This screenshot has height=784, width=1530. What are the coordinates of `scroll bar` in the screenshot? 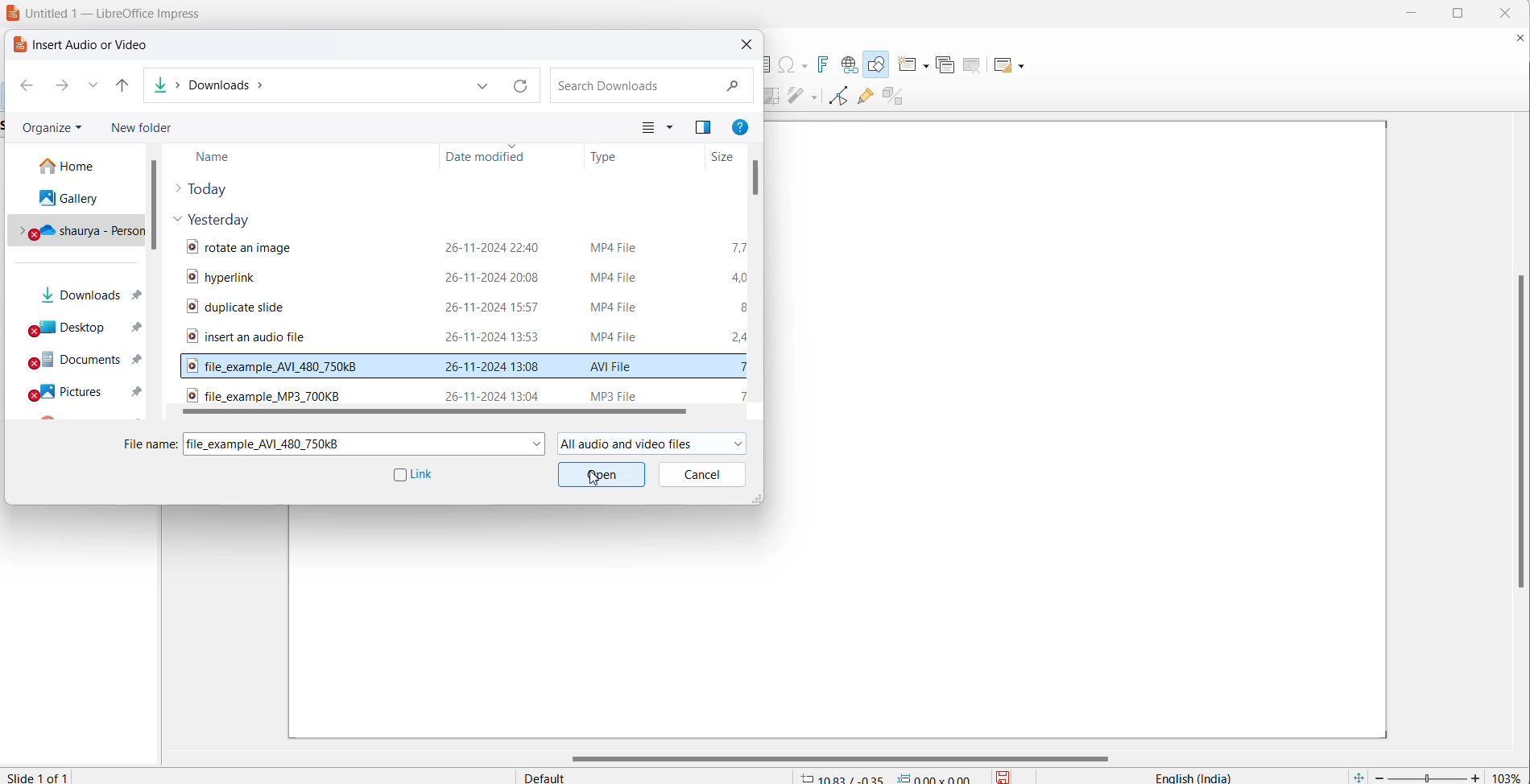 It's located at (753, 182).